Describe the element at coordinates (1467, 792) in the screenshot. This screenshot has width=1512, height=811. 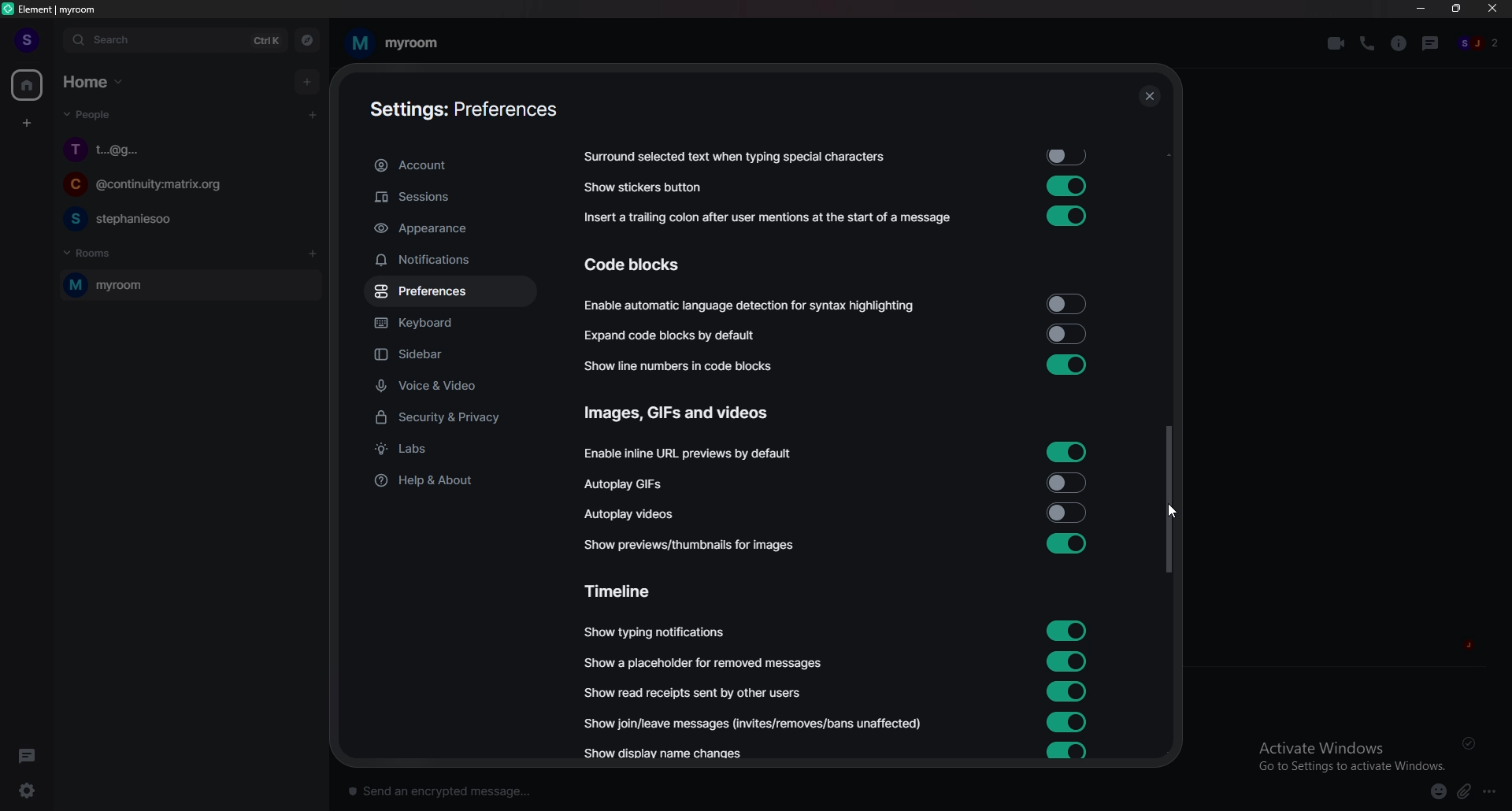
I see `attachments` at that location.